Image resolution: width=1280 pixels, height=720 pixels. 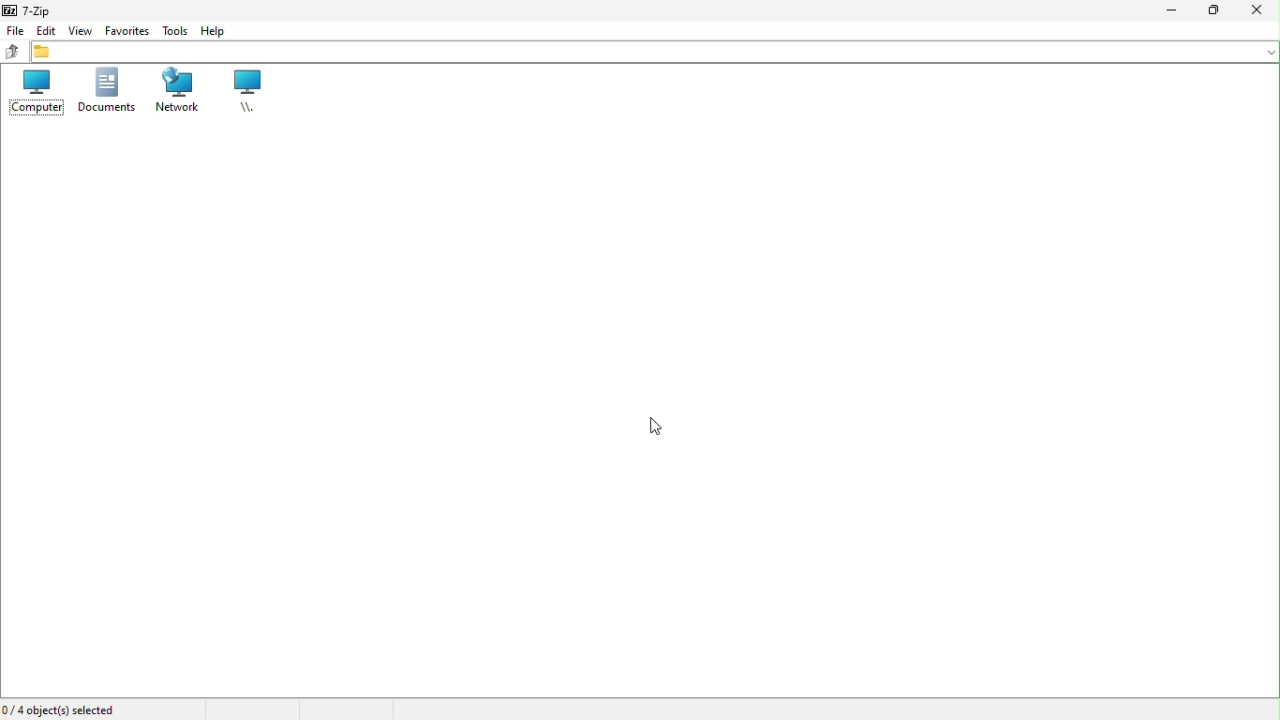 I want to click on , so click(x=47, y=32).